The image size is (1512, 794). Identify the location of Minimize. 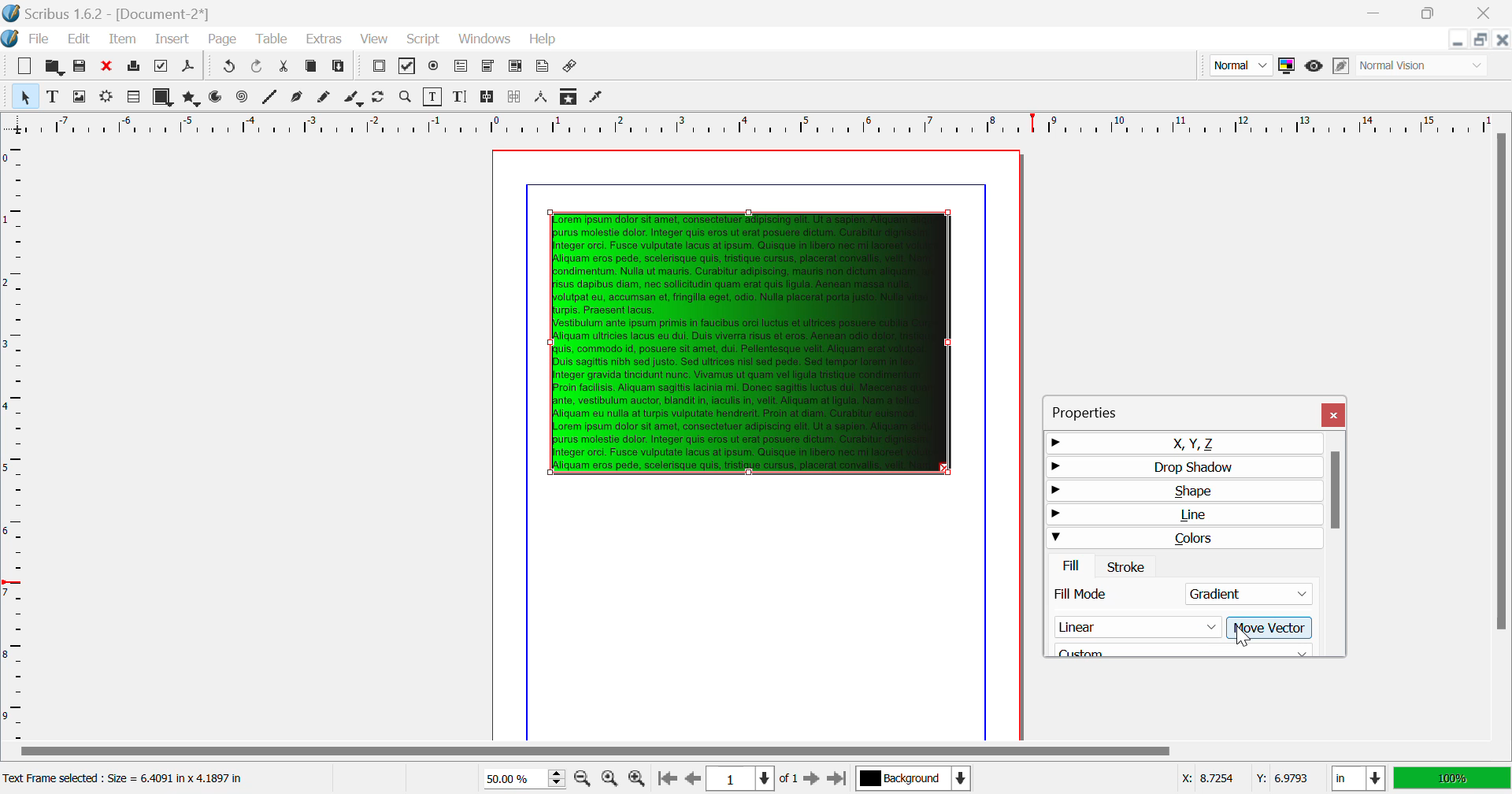
(1432, 13).